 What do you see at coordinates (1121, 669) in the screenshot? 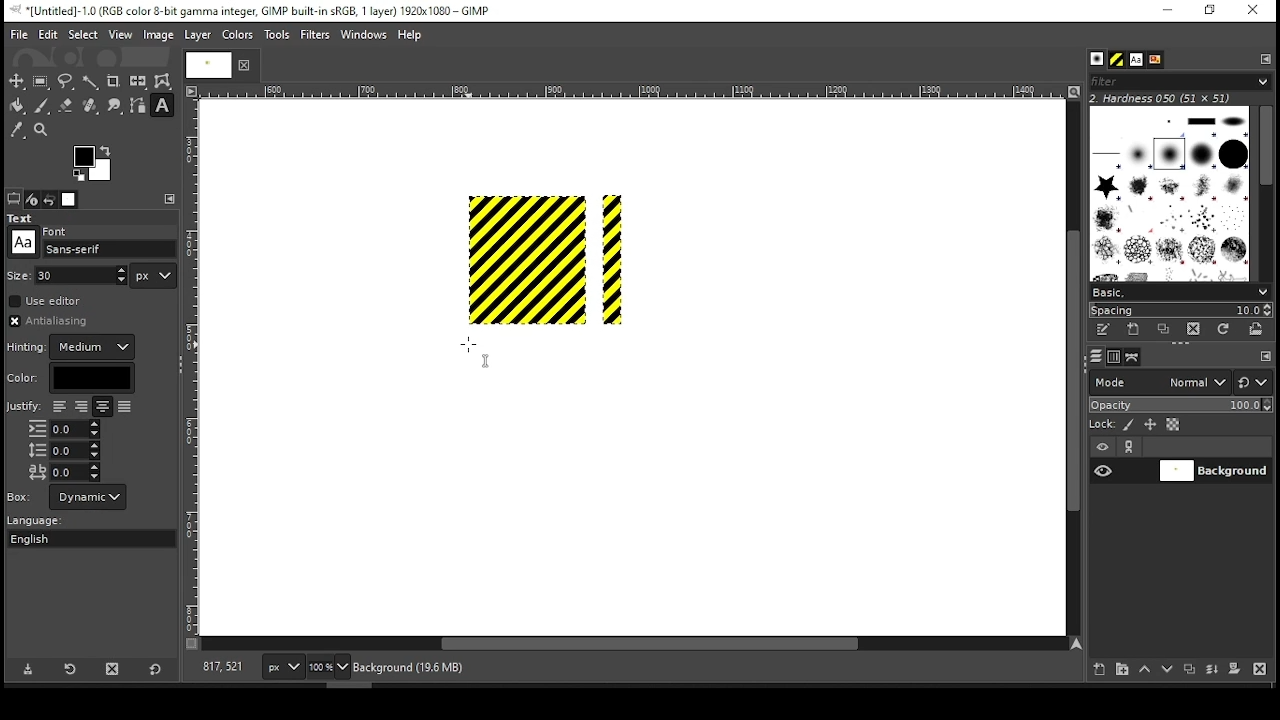
I see `new layer group  ` at bounding box center [1121, 669].